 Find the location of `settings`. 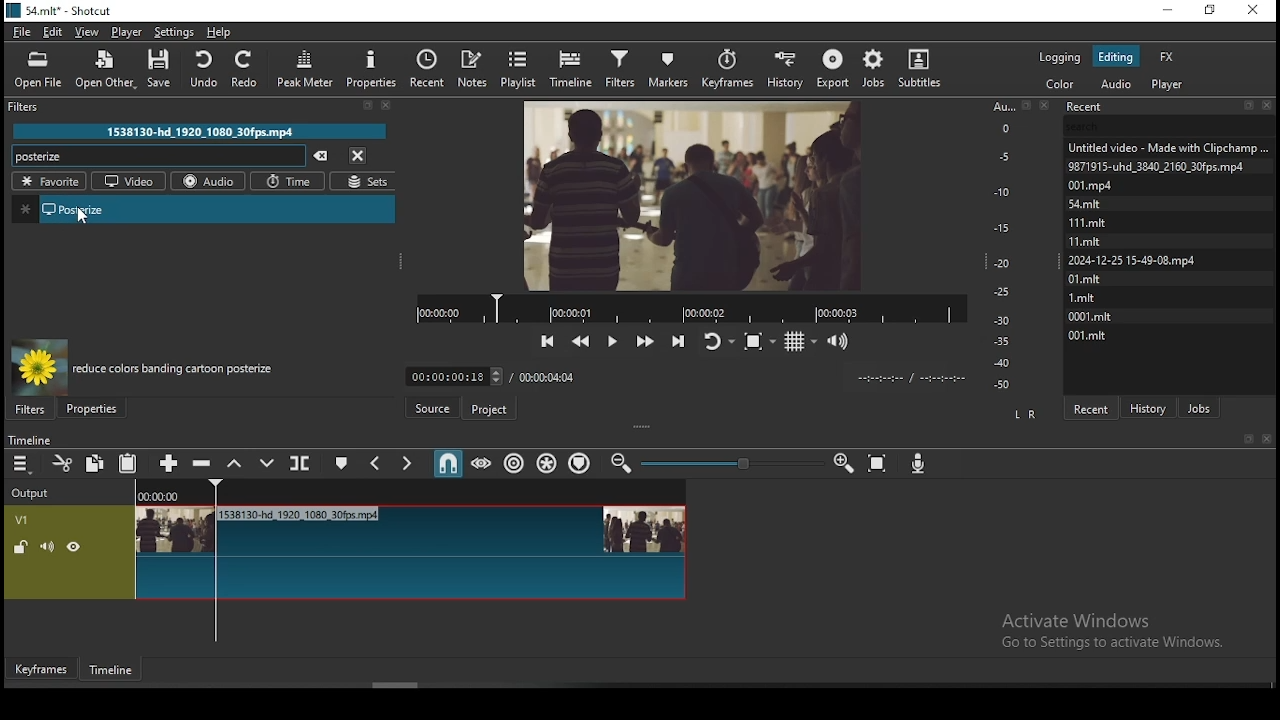

settings is located at coordinates (175, 32).